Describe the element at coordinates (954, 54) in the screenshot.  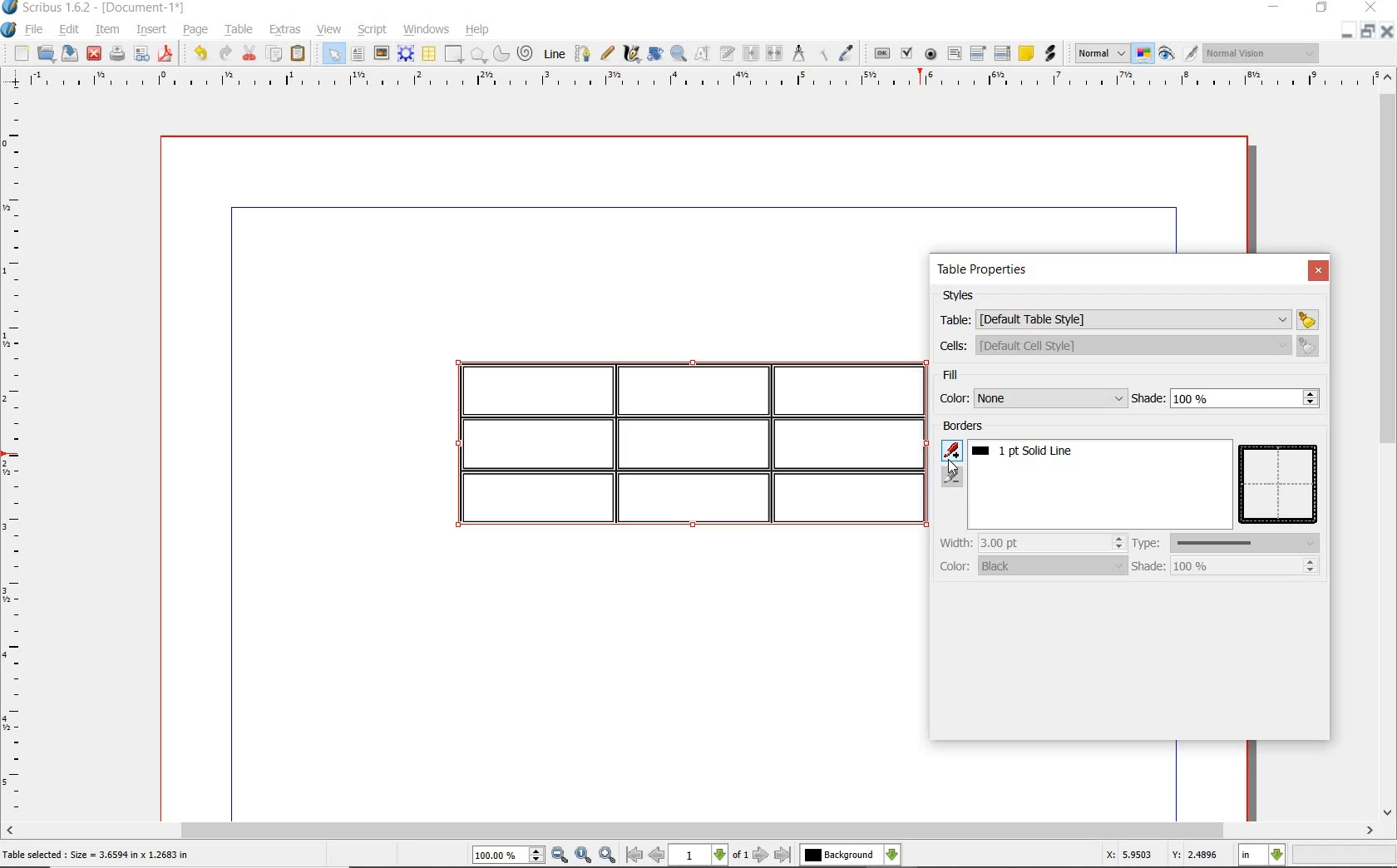
I see `pdf text field` at that location.